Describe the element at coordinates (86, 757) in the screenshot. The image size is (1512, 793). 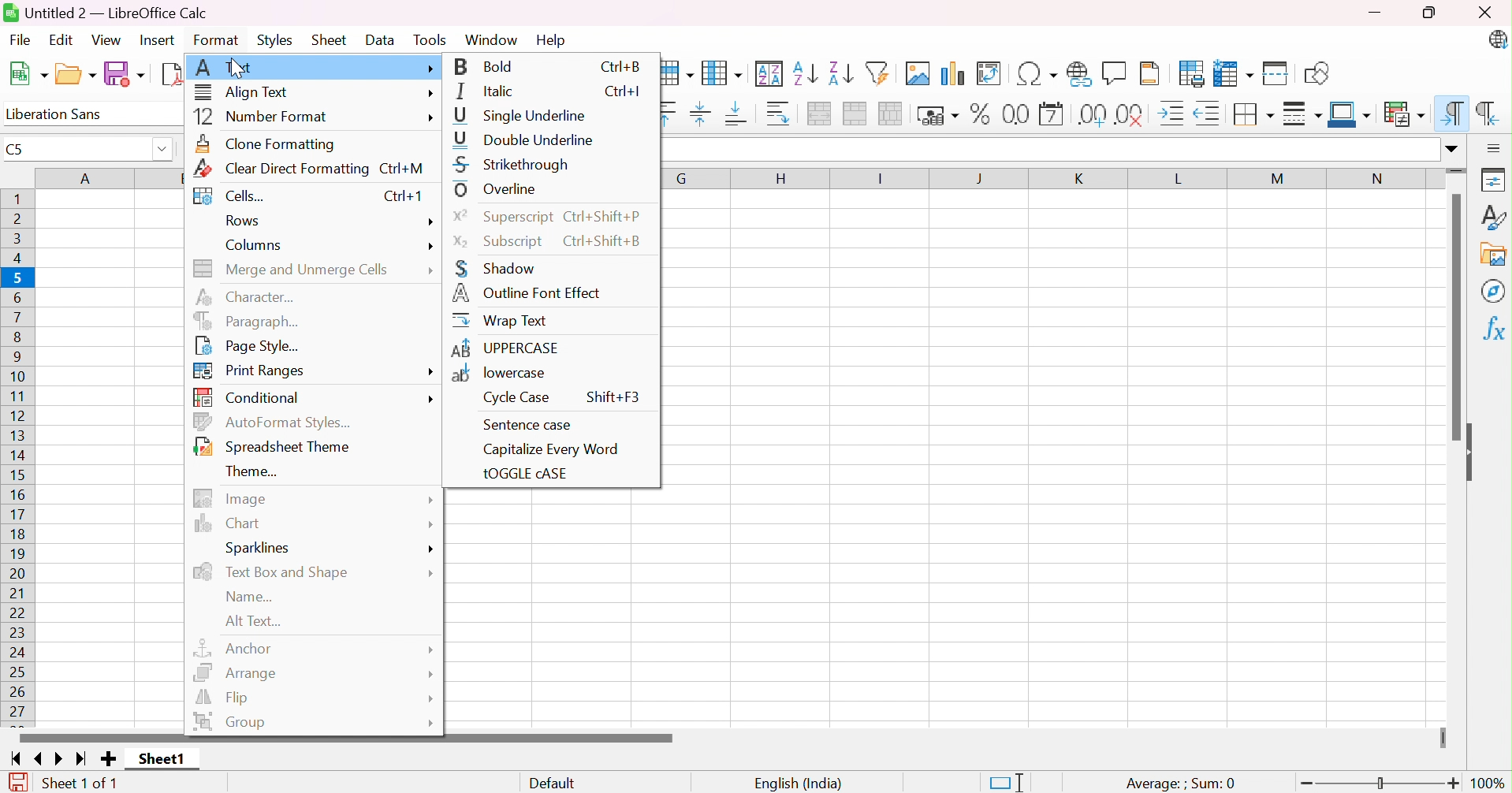
I see `Scroll to last page` at that location.